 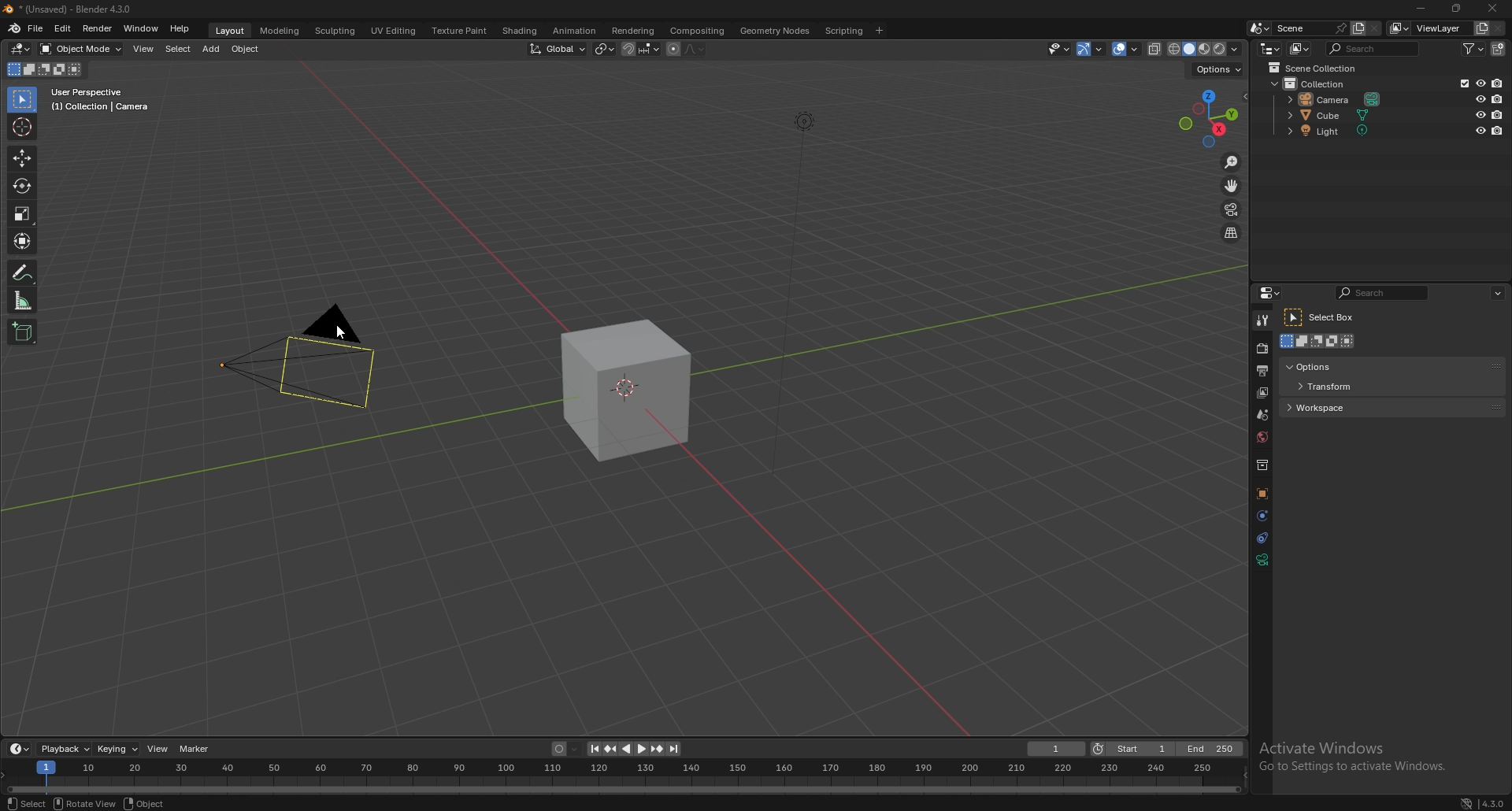 What do you see at coordinates (1460, 10) in the screenshot?
I see `resize` at bounding box center [1460, 10].